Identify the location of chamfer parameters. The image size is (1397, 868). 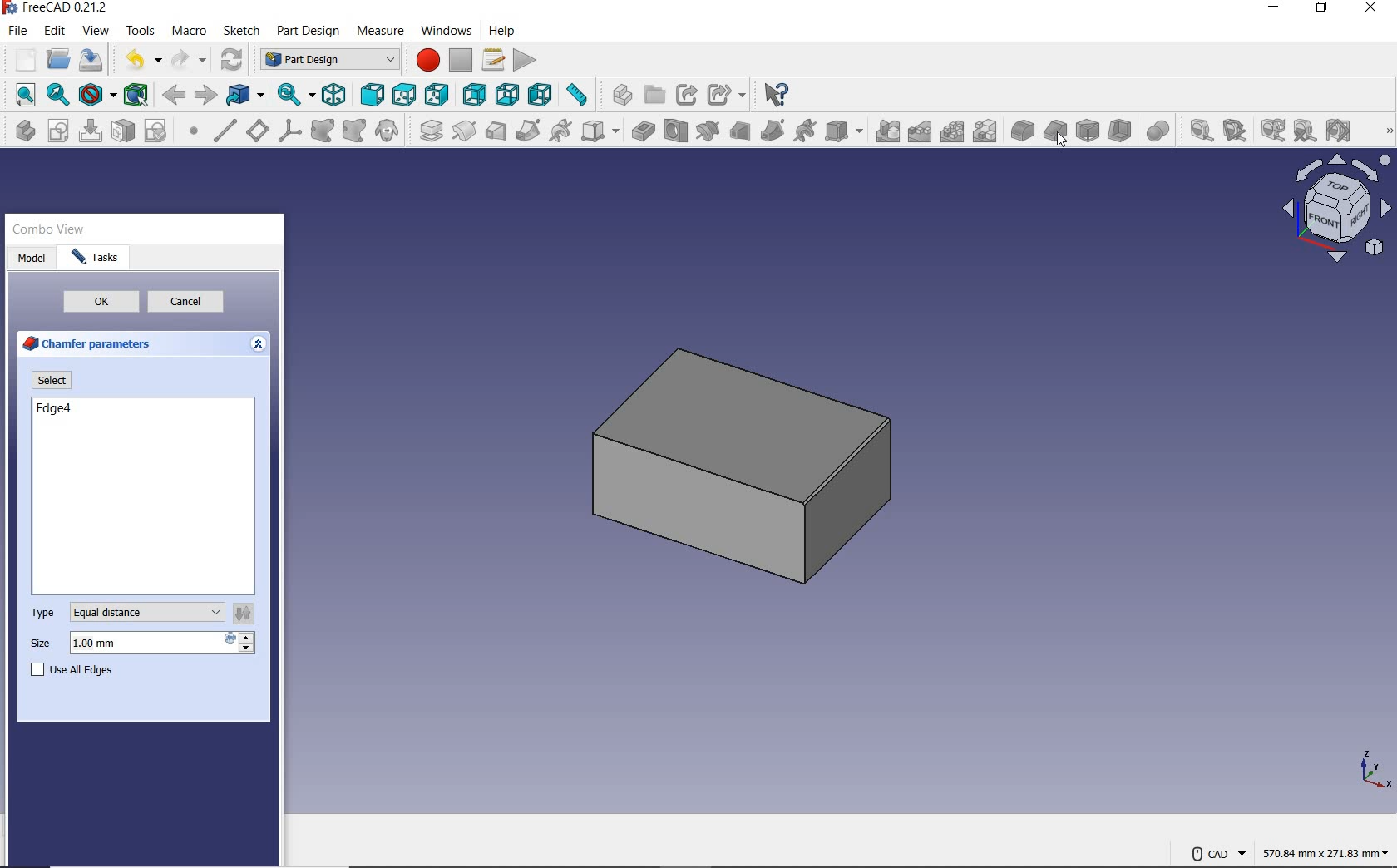
(88, 342).